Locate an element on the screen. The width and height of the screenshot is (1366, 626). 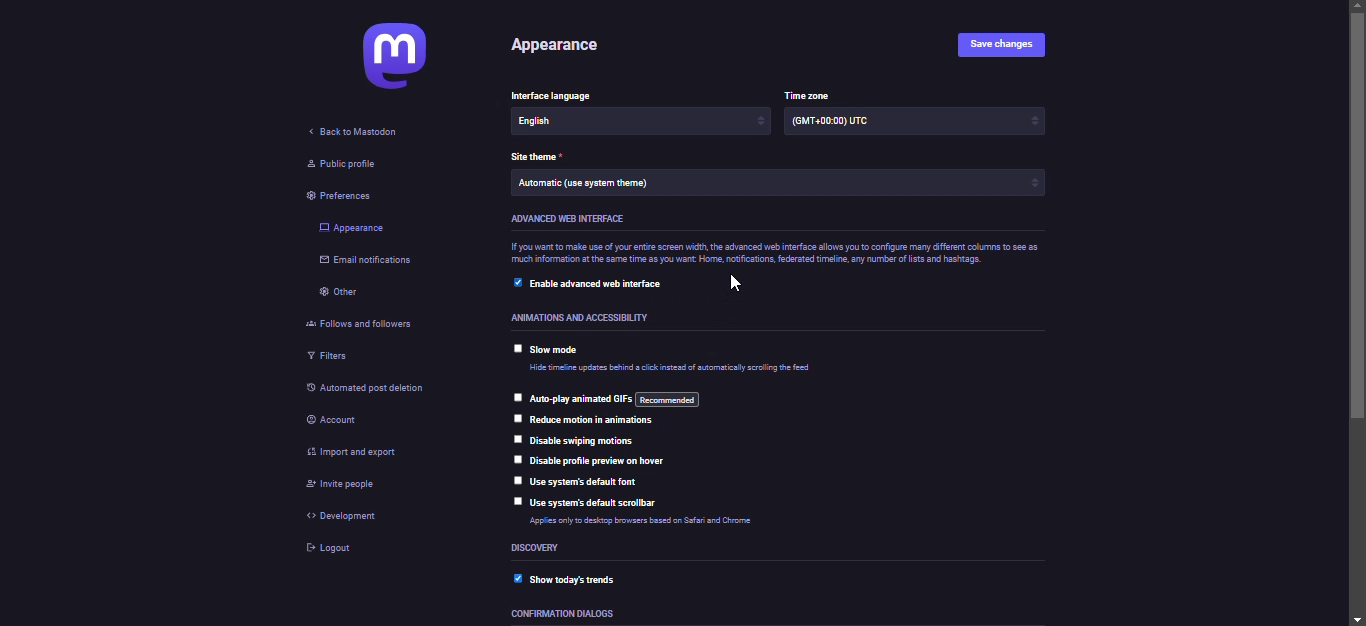
enable advanced web interface is located at coordinates (605, 283).